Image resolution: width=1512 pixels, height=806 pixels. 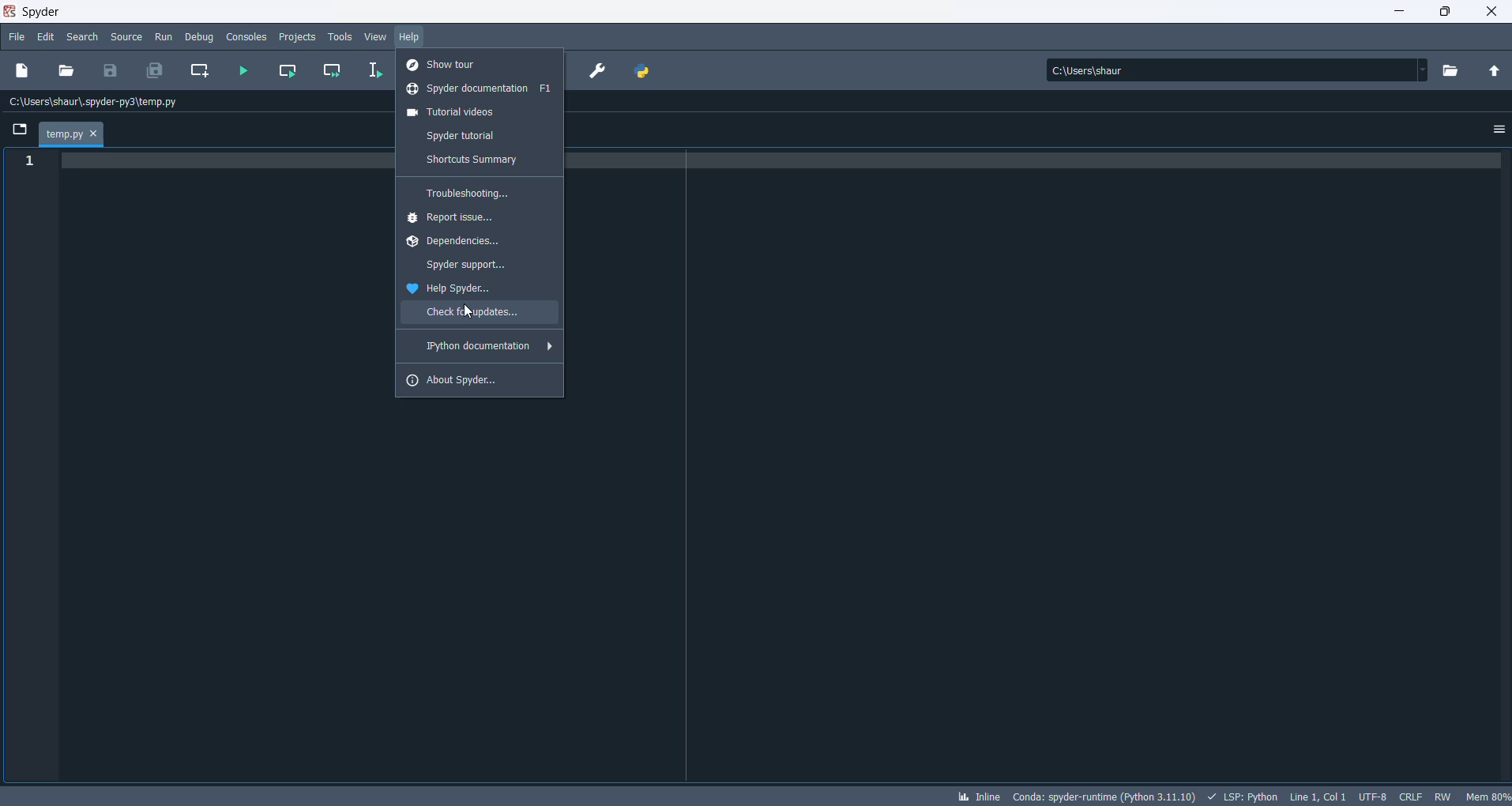 What do you see at coordinates (474, 244) in the screenshot?
I see `dependencies ` at bounding box center [474, 244].